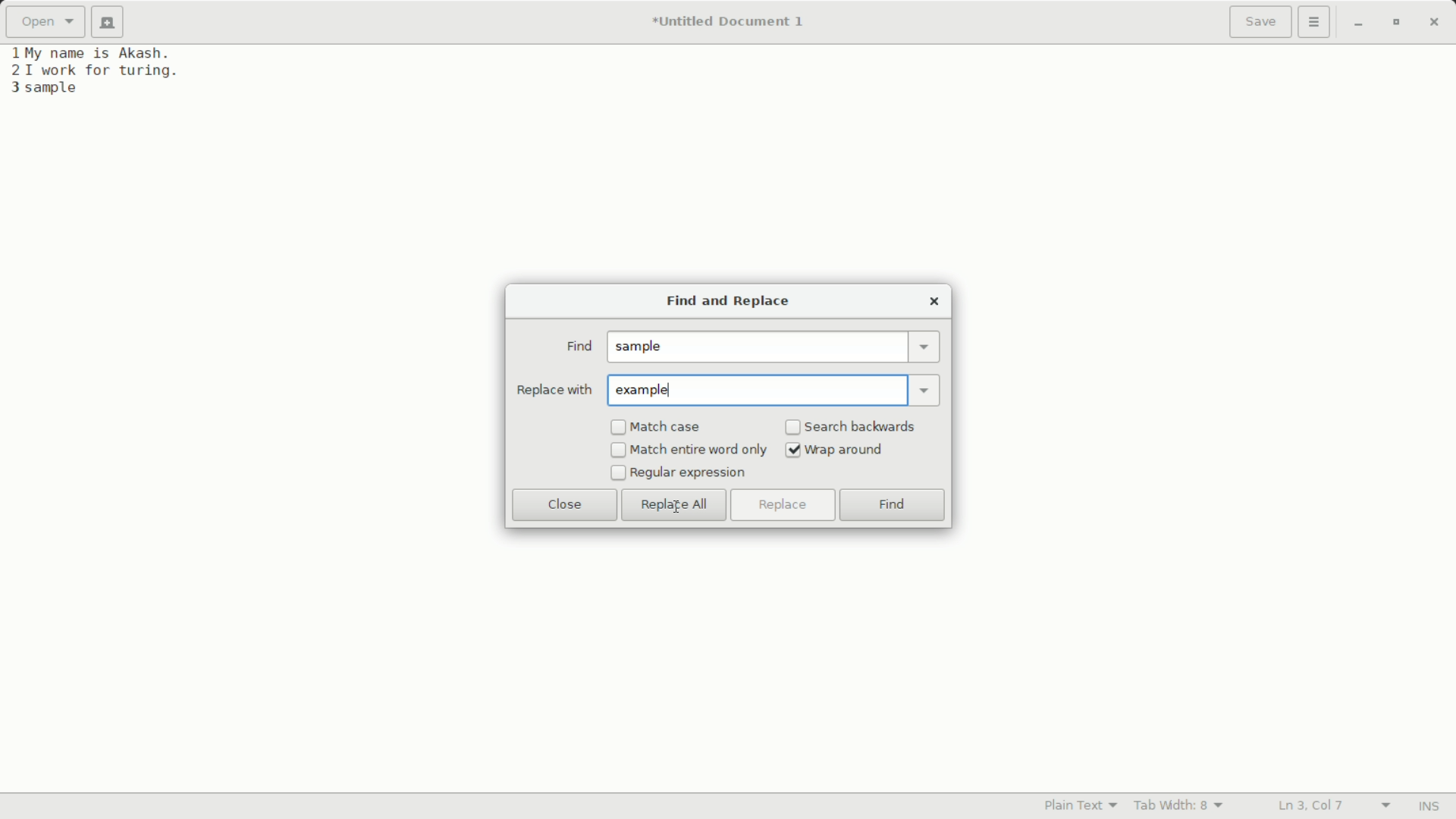 This screenshot has width=1456, height=819. What do you see at coordinates (668, 428) in the screenshot?
I see `match case` at bounding box center [668, 428].